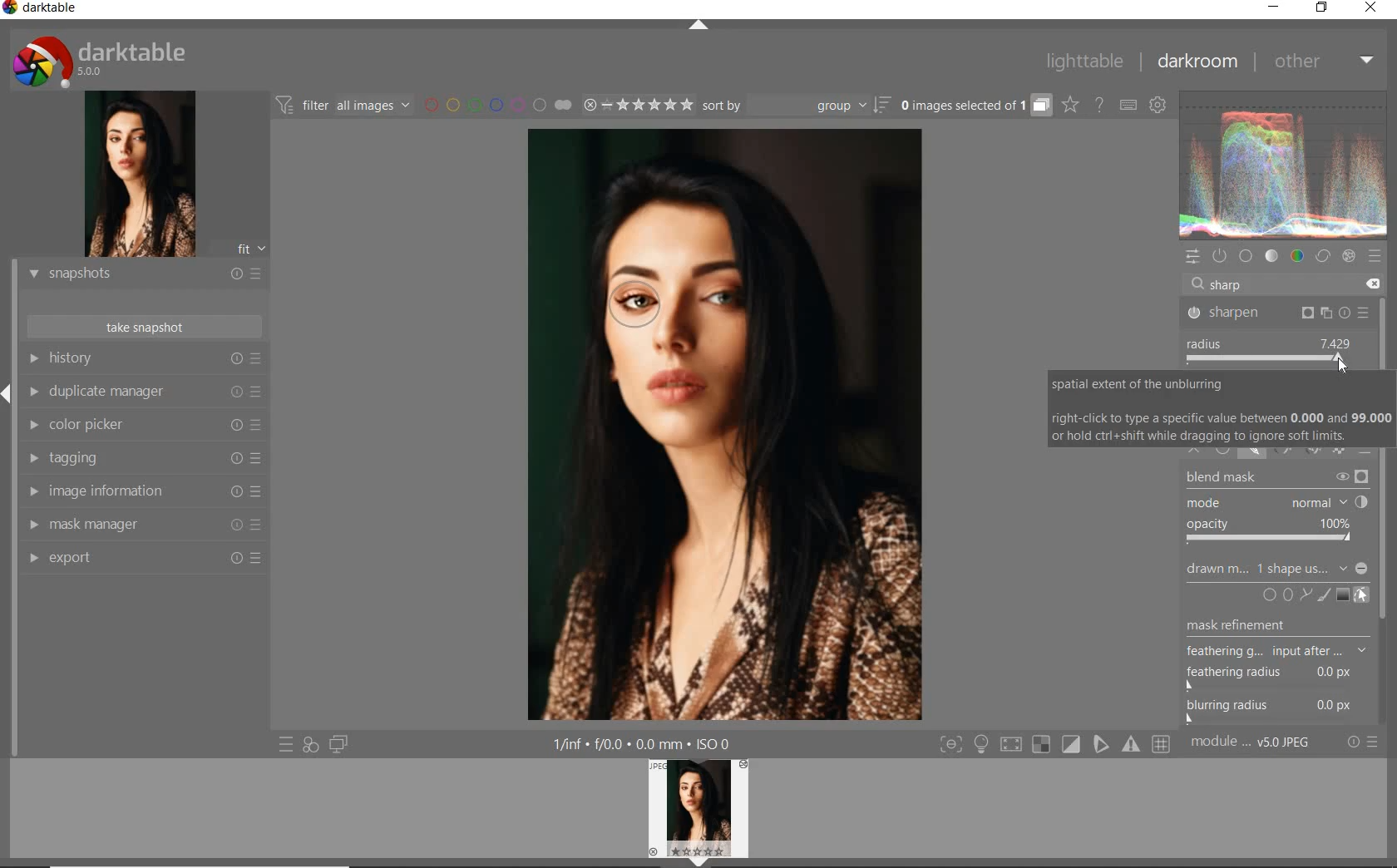 Image resolution: width=1397 pixels, height=868 pixels. What do you see at coordinates (483, 106) in the screenshot?
I see `filter images by color labels` at bounding box center [483, 106].